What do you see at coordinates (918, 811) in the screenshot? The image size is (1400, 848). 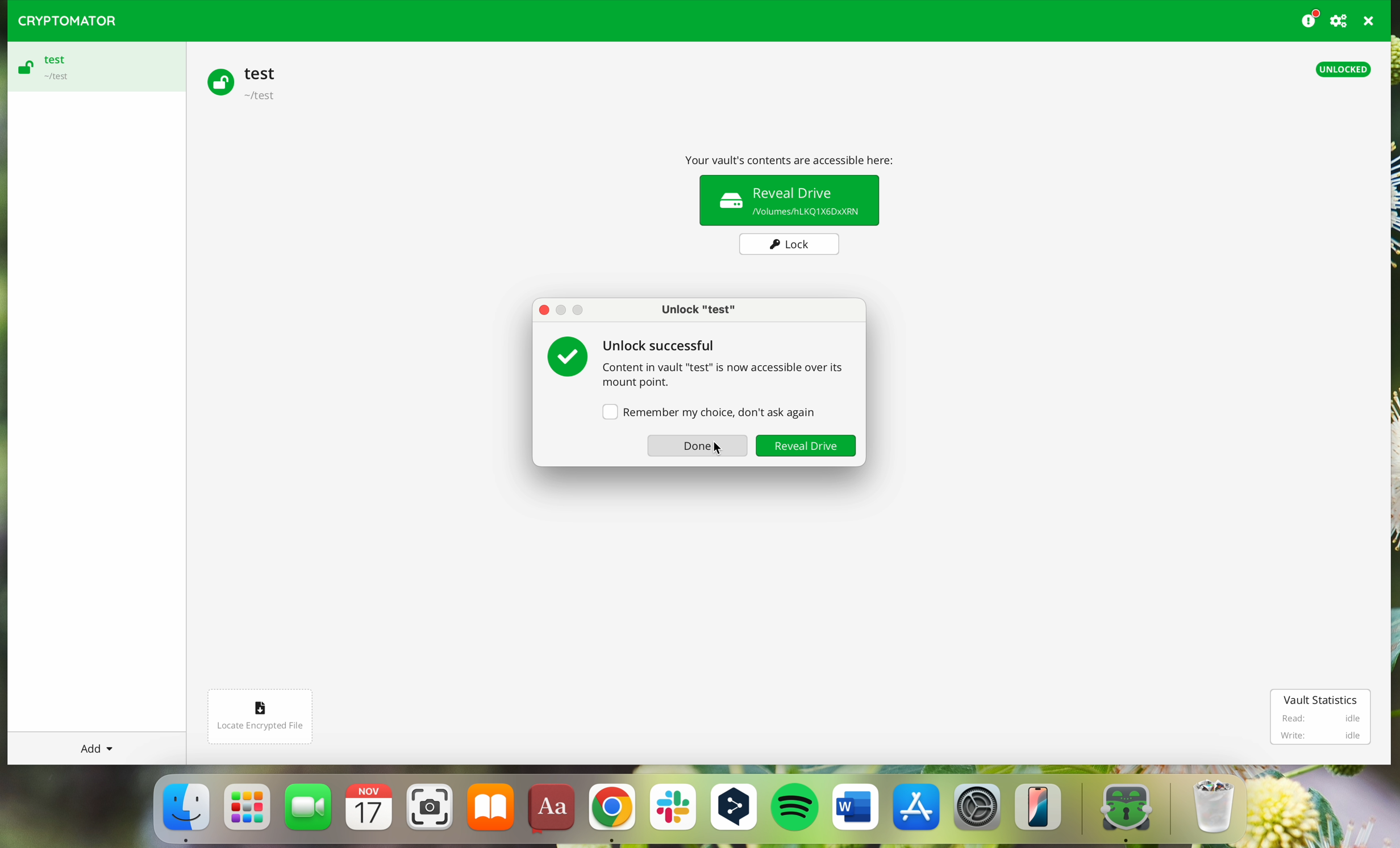 I see `Appstore` at bounding box center [918, 811].